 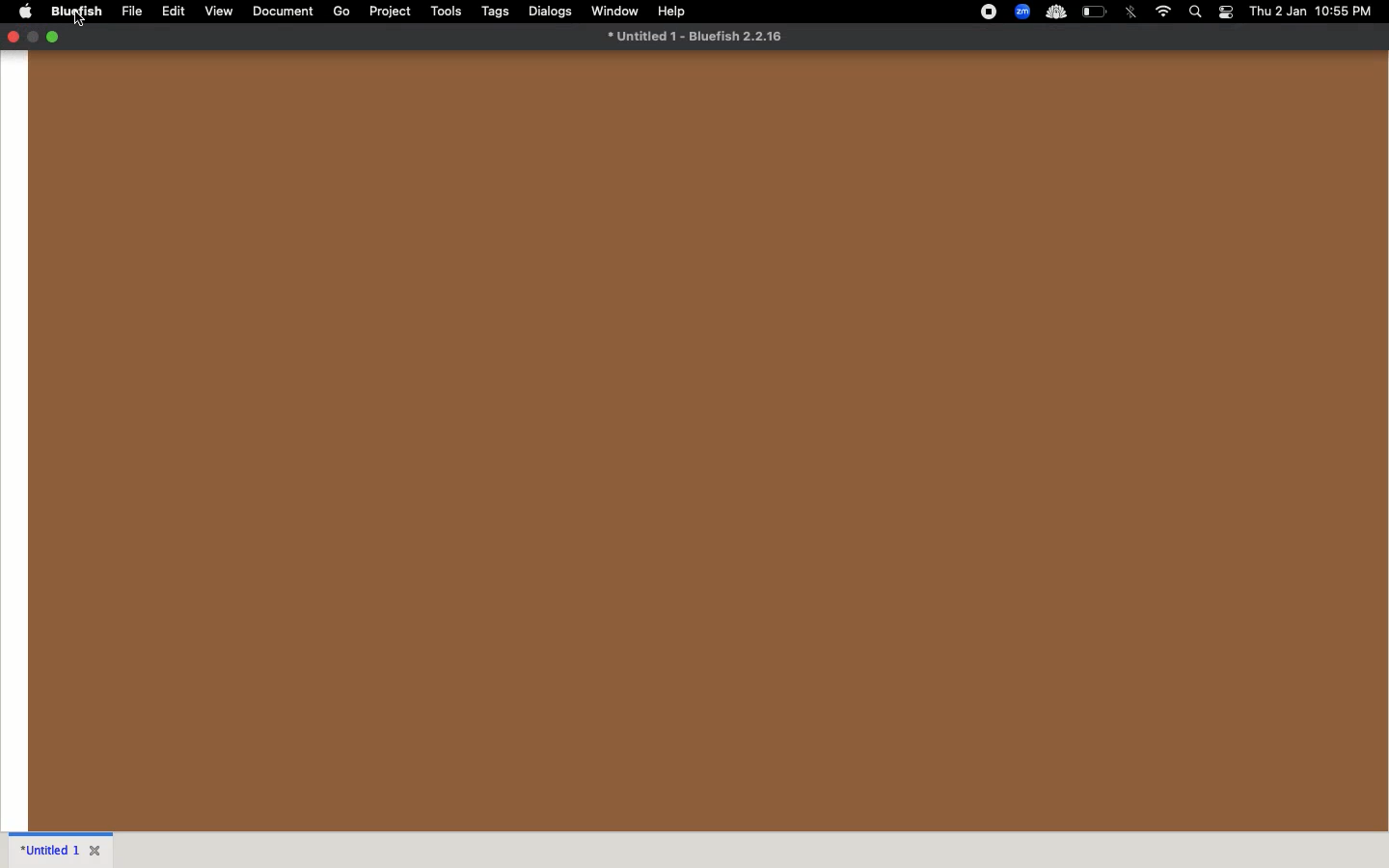 What do you see at coordinates (340, 12) in the screenshot?
I see `go` at bounding box center [340, 12].